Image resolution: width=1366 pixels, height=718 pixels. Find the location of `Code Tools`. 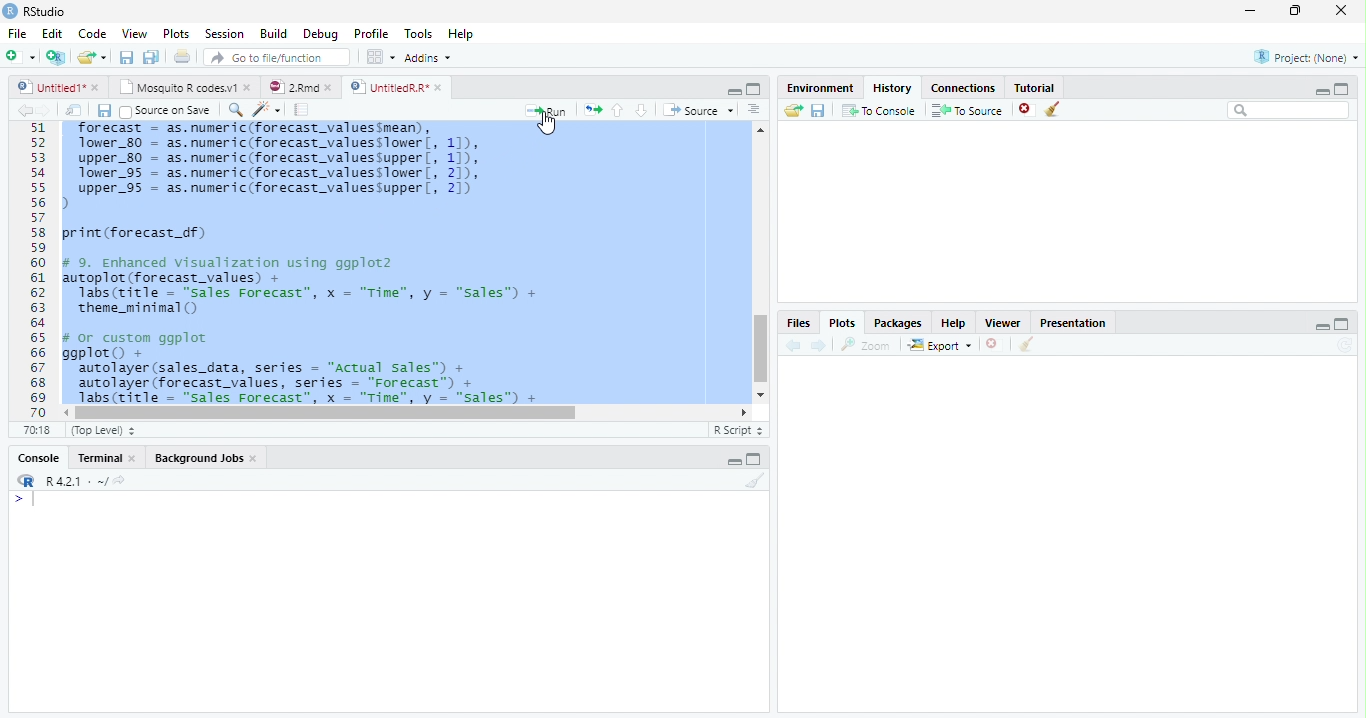

Code Tools is located at coordinates (263, 109).